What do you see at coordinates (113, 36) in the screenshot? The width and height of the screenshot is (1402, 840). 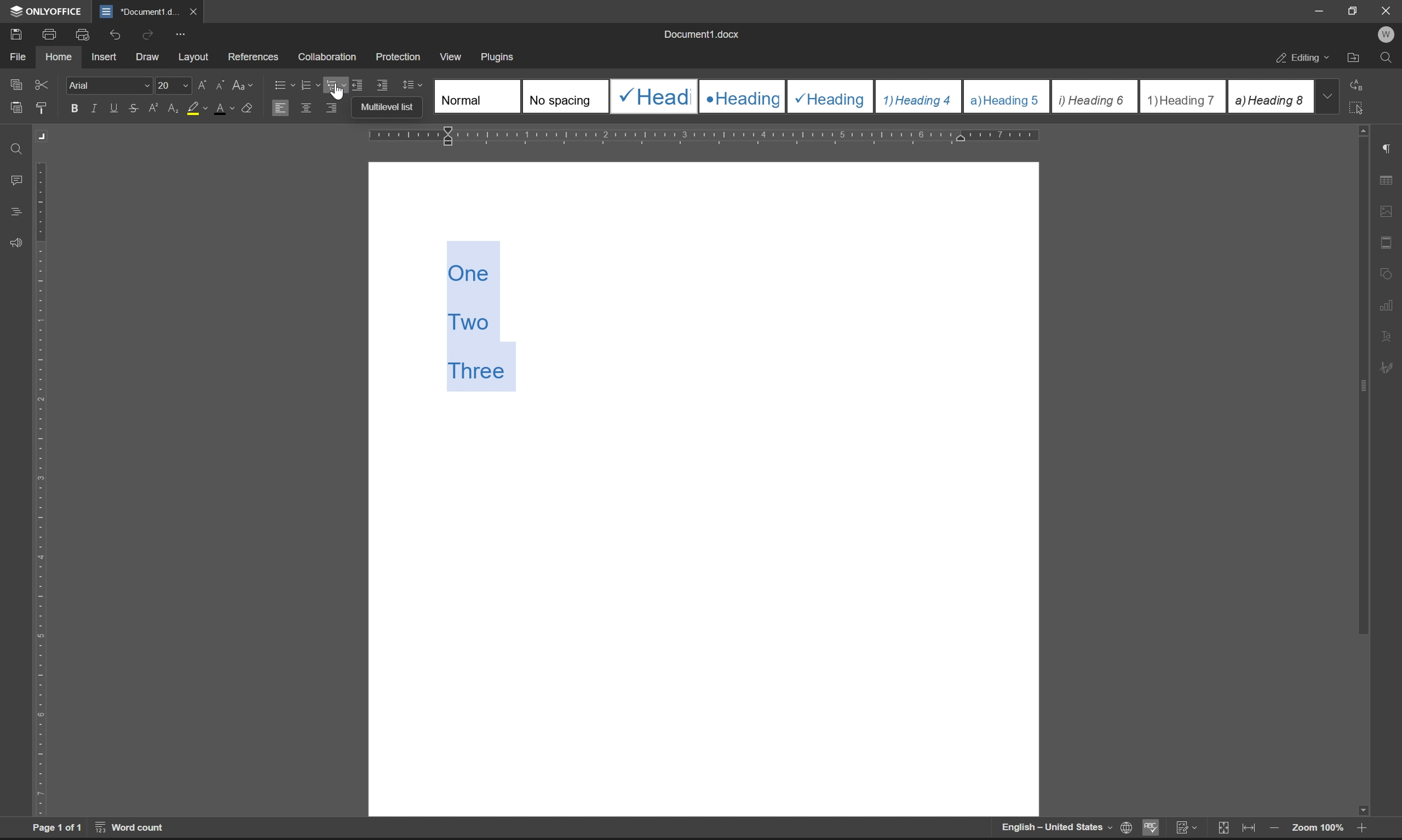 I see `undo` at bounding box center [113, 36].